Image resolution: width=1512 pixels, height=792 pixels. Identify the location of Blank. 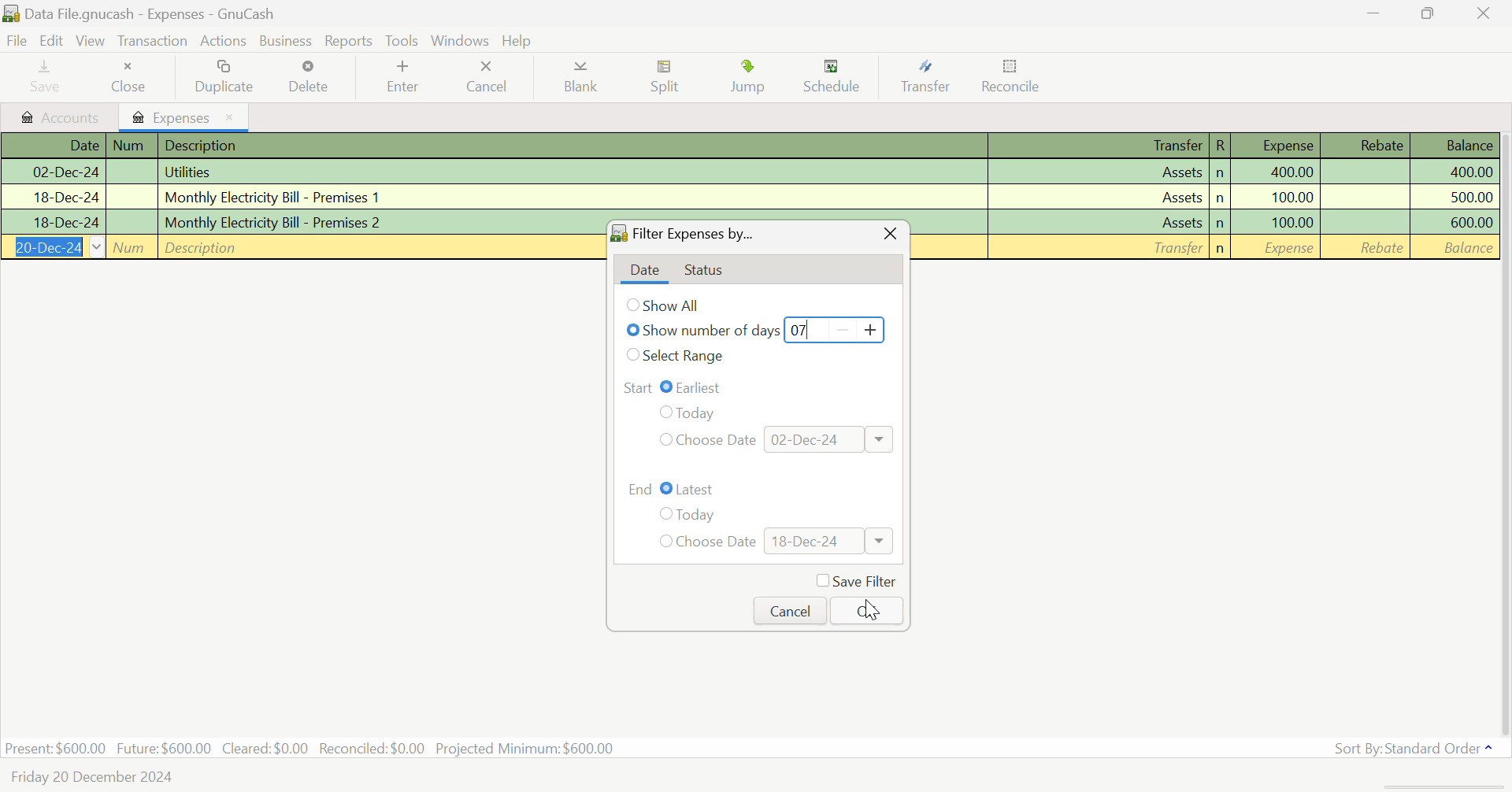
(581, 79).